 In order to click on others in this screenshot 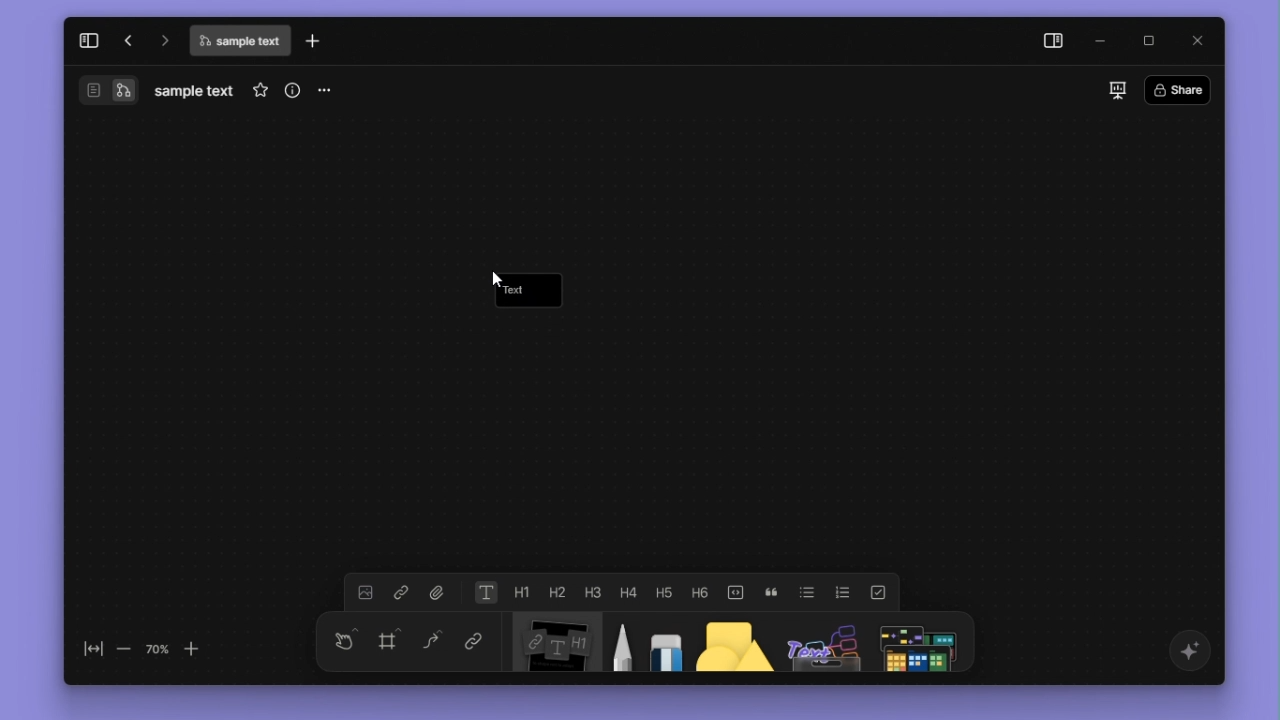, I will do `click(819, 644)`.